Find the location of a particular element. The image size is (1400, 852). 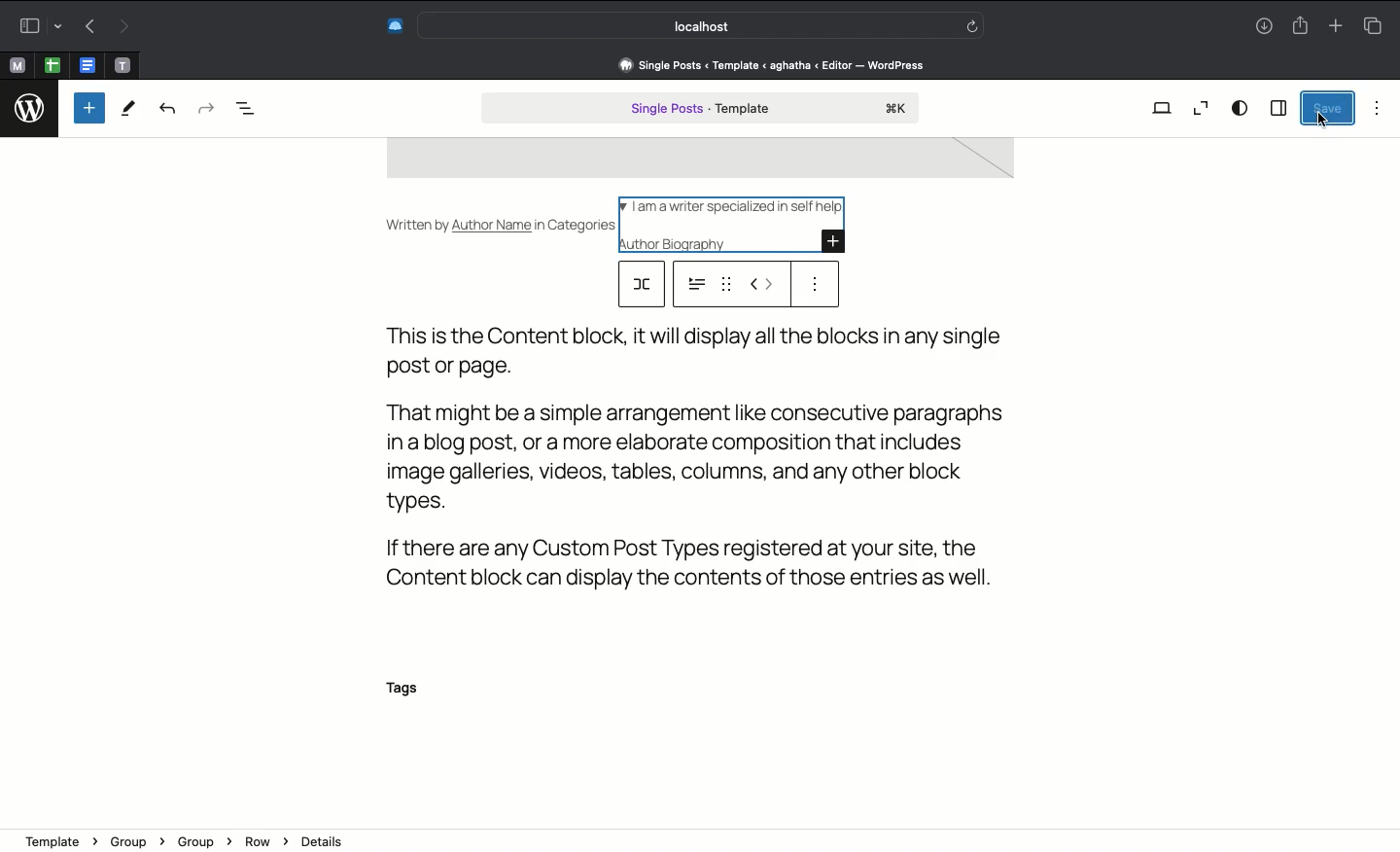

Written by Author Name in Categories is located at coordinates (500, 225).